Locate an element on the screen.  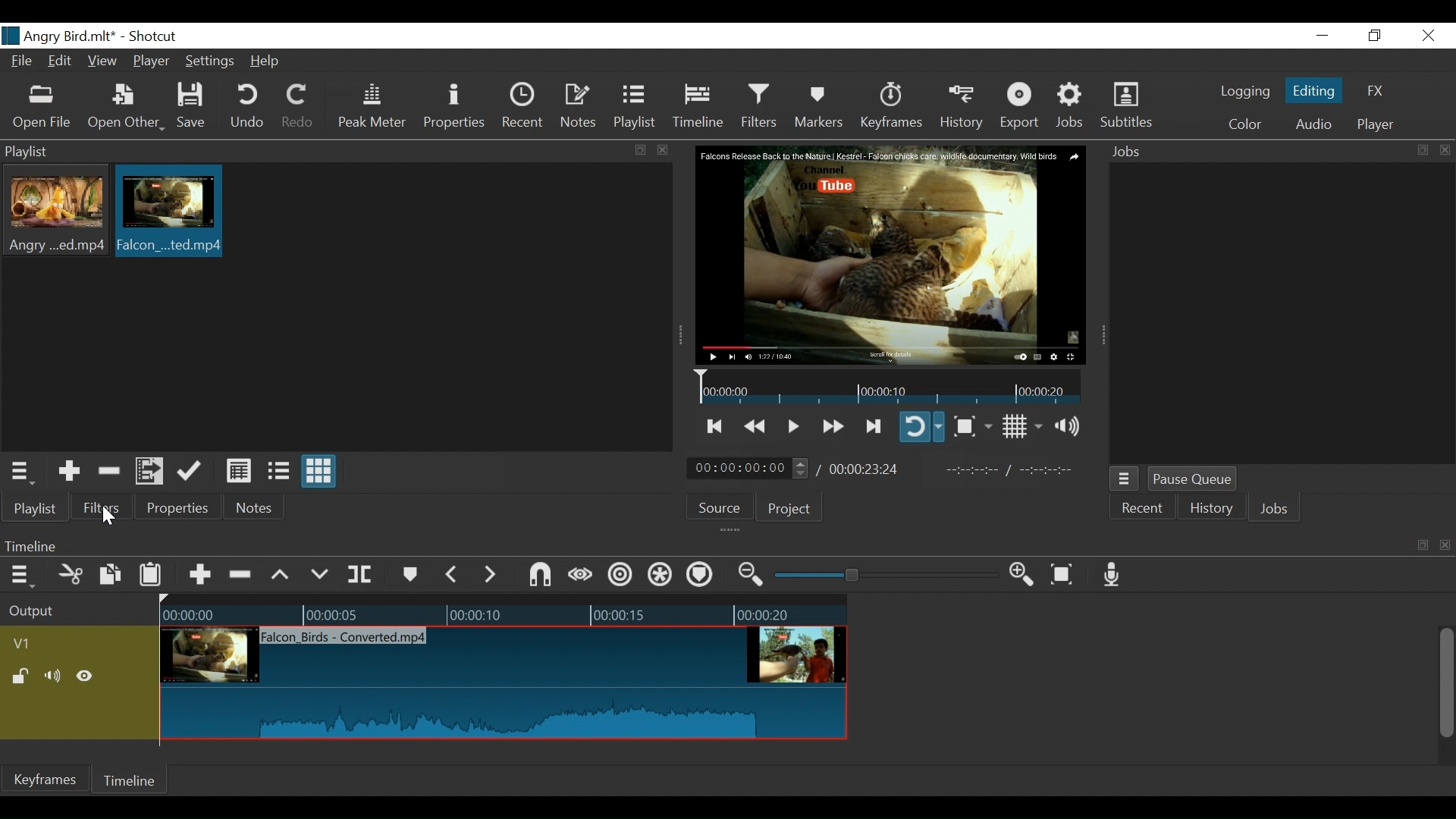
Skip to the next point is located at coordinates (874, 427).